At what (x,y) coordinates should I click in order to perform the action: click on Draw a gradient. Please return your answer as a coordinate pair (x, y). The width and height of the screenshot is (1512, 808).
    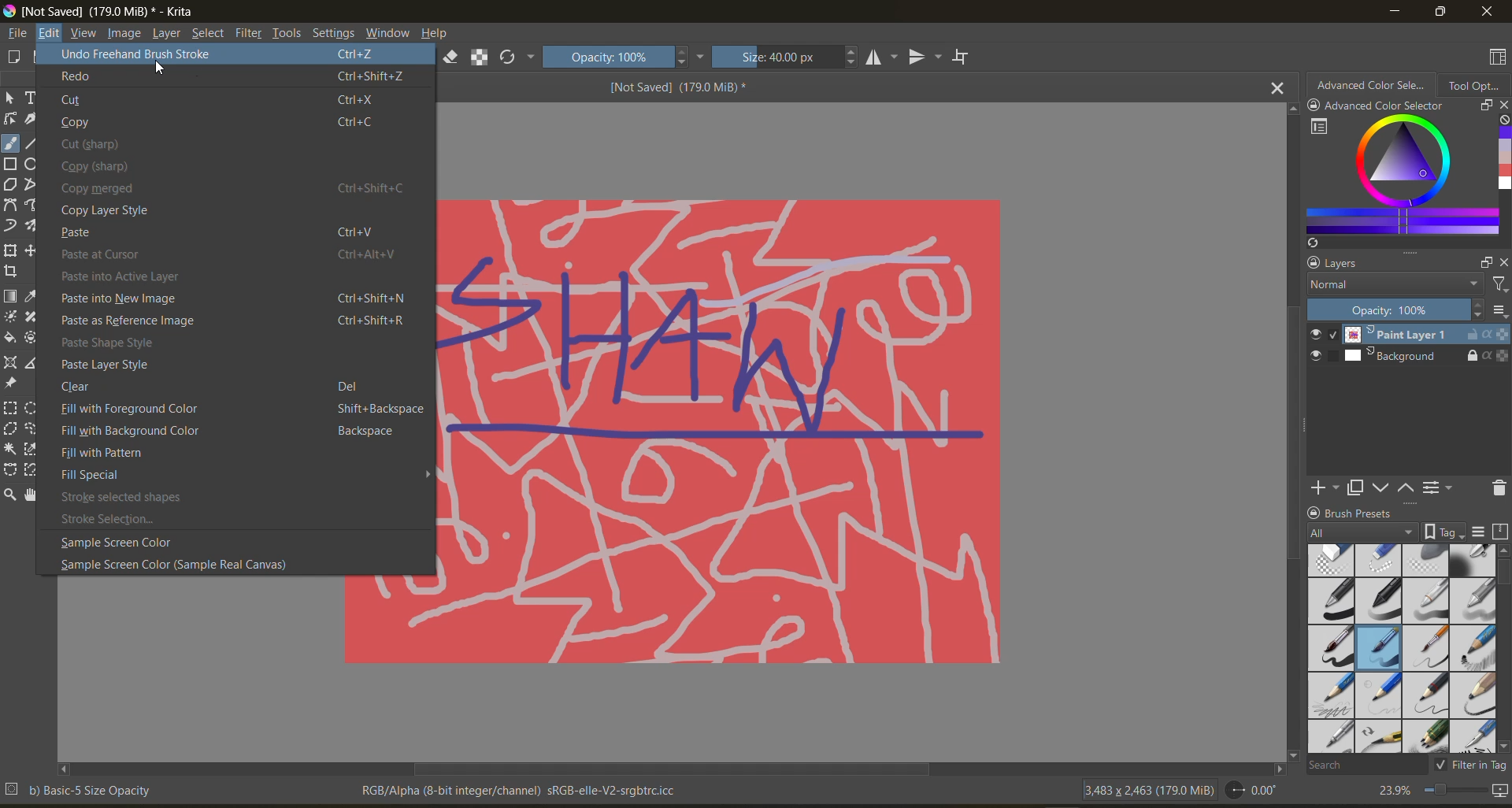
    Looking at the image, I should click on (11, 296).